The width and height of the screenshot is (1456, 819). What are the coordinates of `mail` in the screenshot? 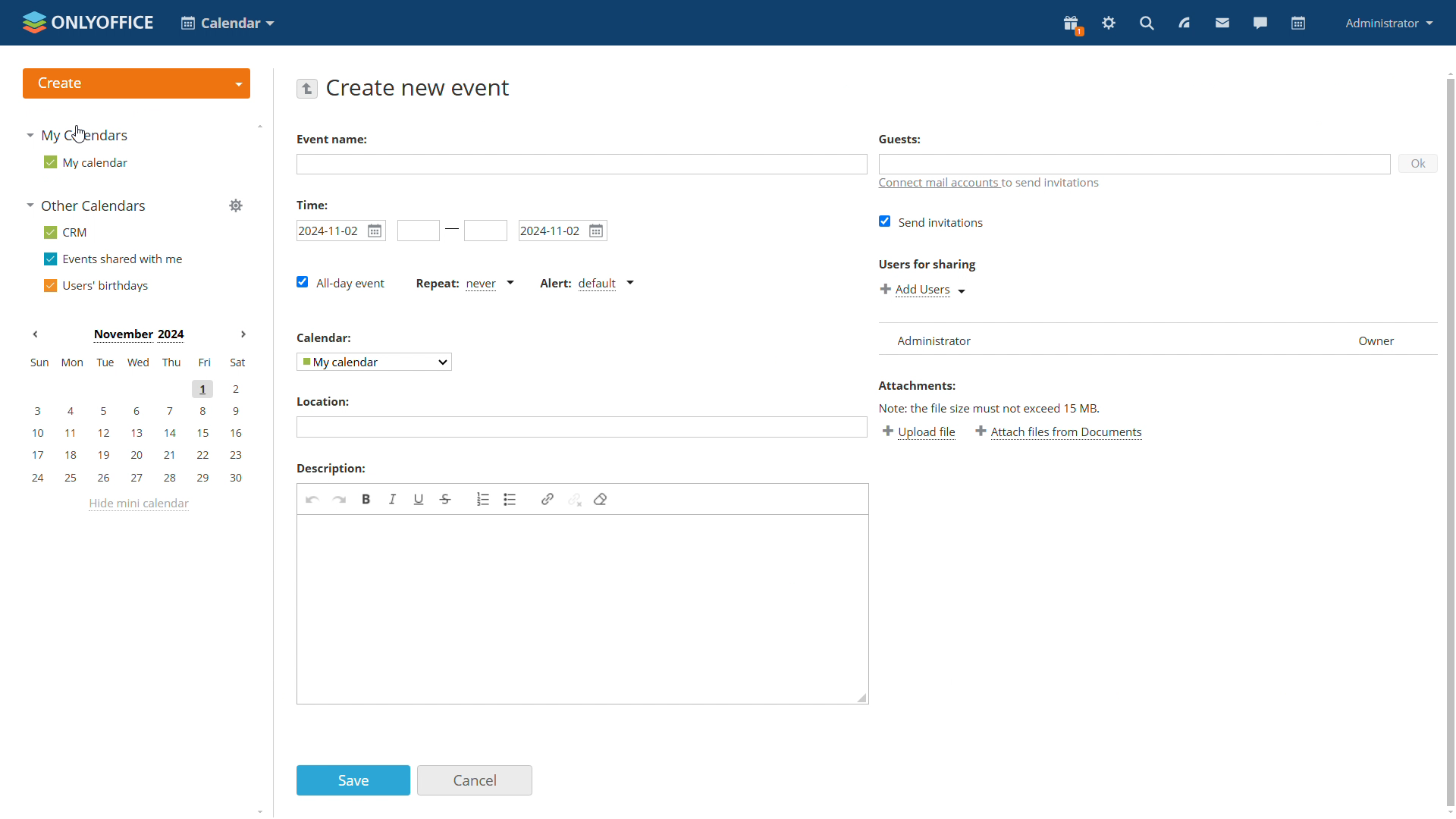 It's located at (1223, 24).